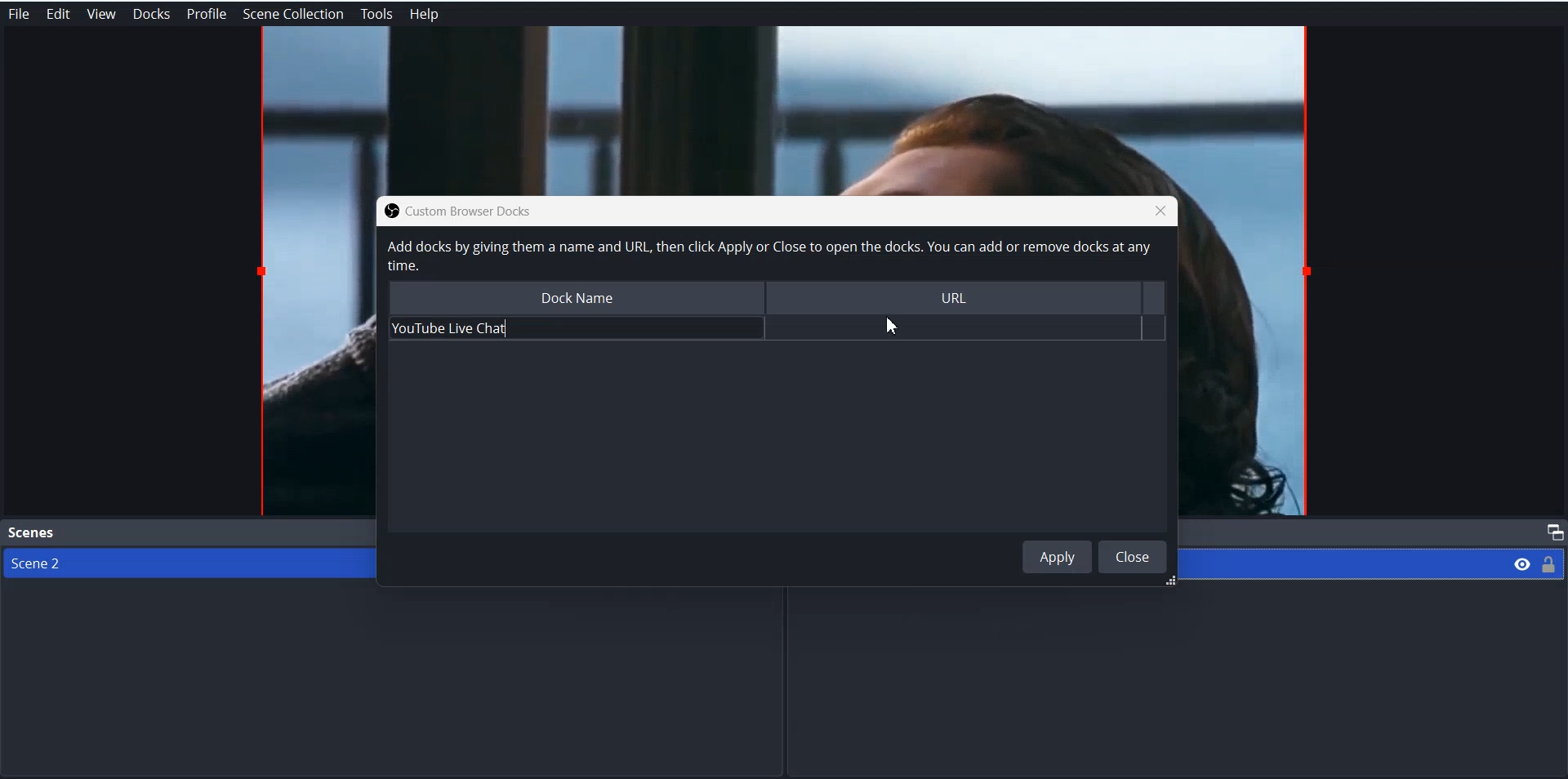  Describe the element at coordinates (1249, 358) in the screenshot. I see `File Preview window` at that location.